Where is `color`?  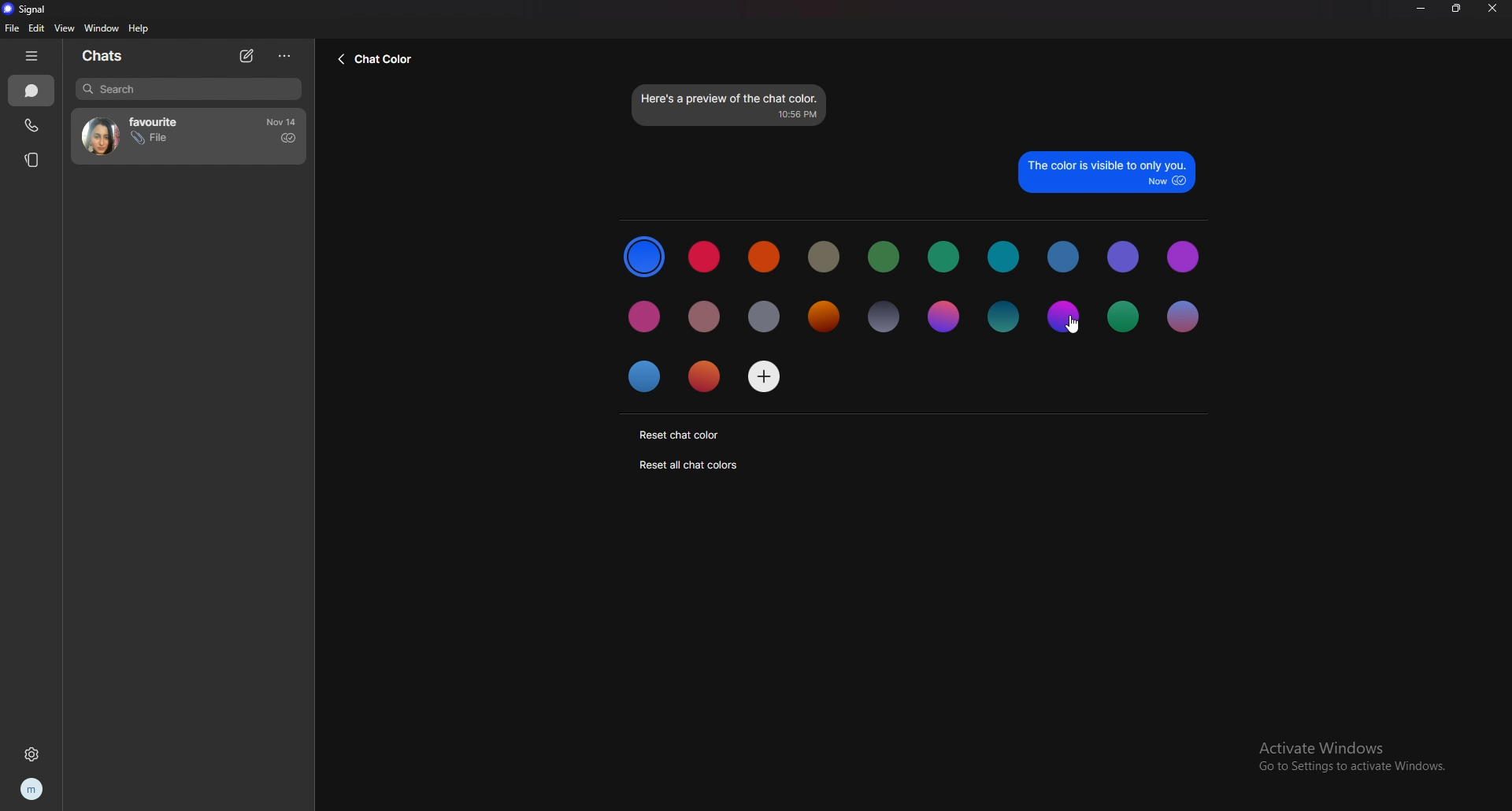 color is located at coordinates (886, 257).